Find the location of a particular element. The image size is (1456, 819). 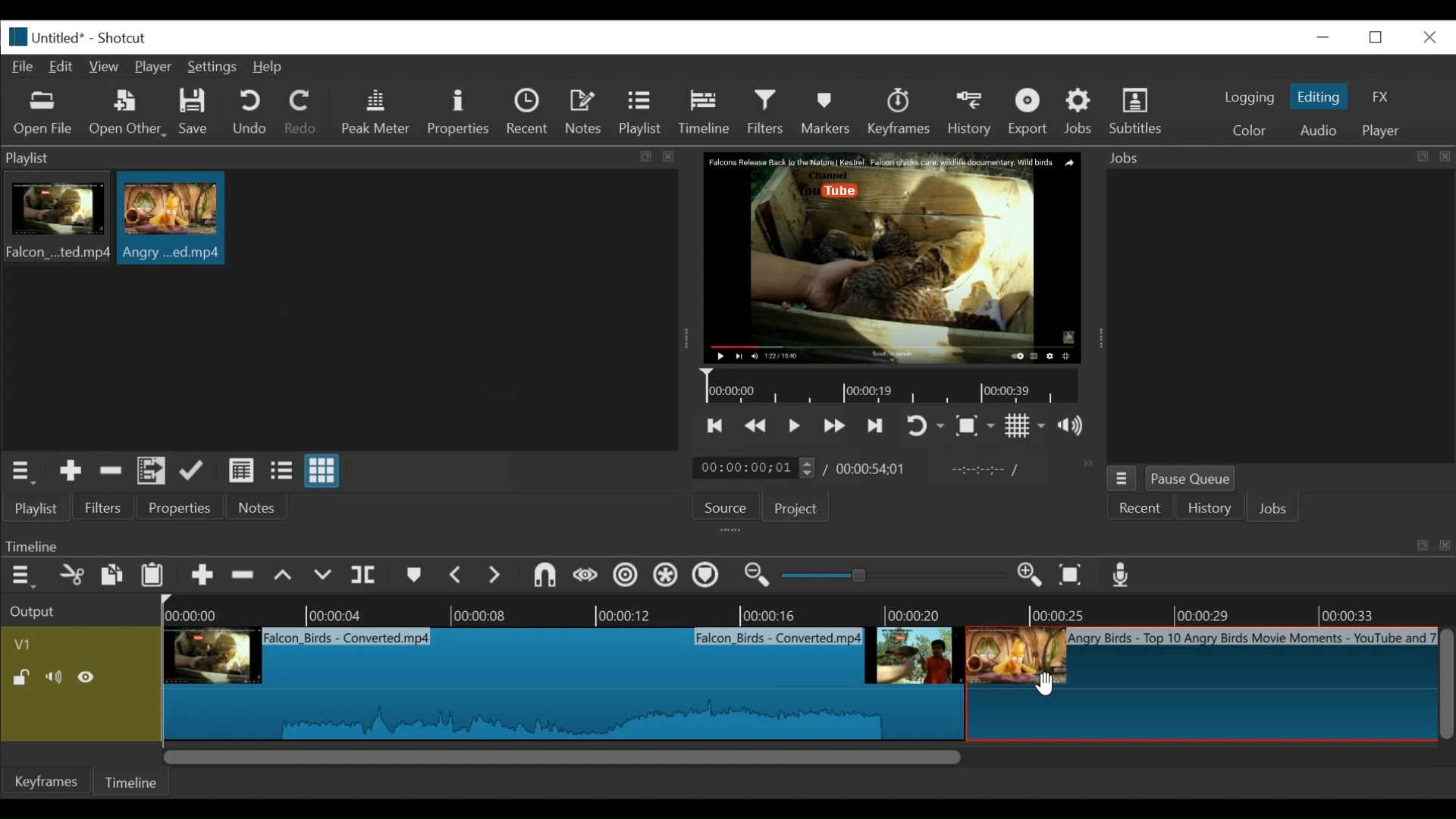

Settings is located at coordinates (215, 69).